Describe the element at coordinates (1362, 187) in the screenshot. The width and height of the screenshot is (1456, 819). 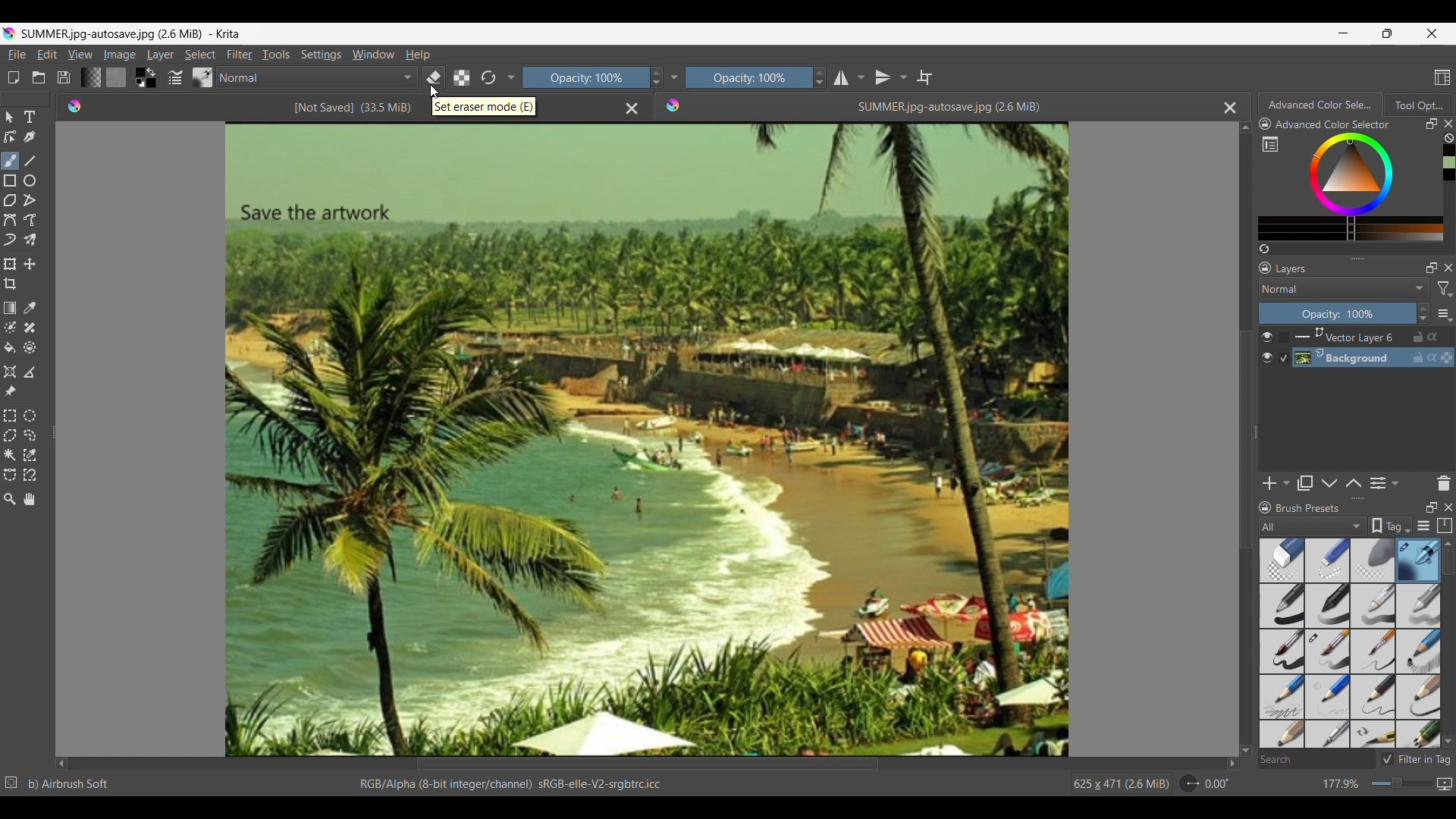
I see `Color selection range` at that location.